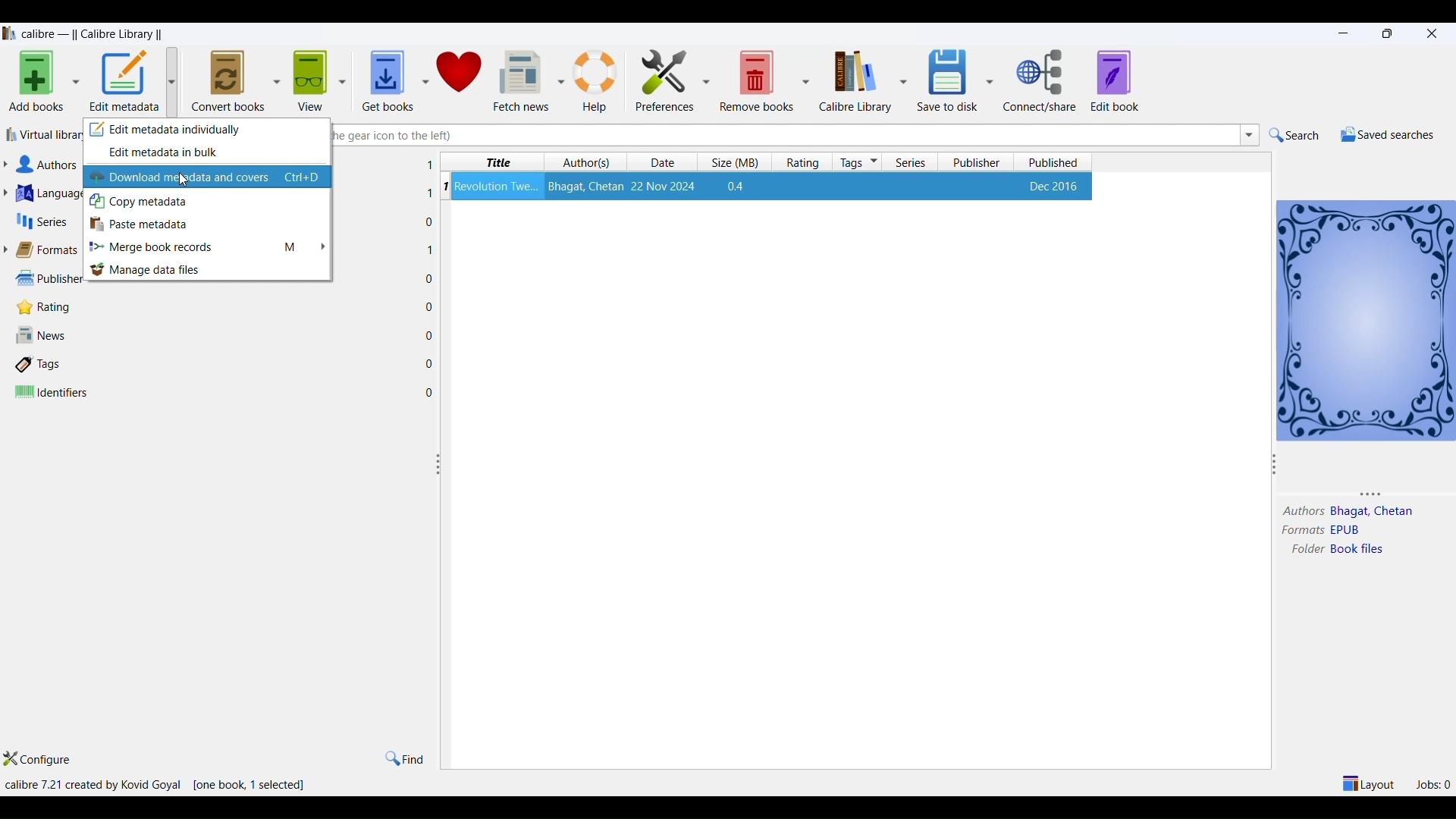 Image resolution: width=1456 pixels, height=819 pixels. Describe the element at coordinates (1121, 80) in the screenshot. I see `edit book` at that location.